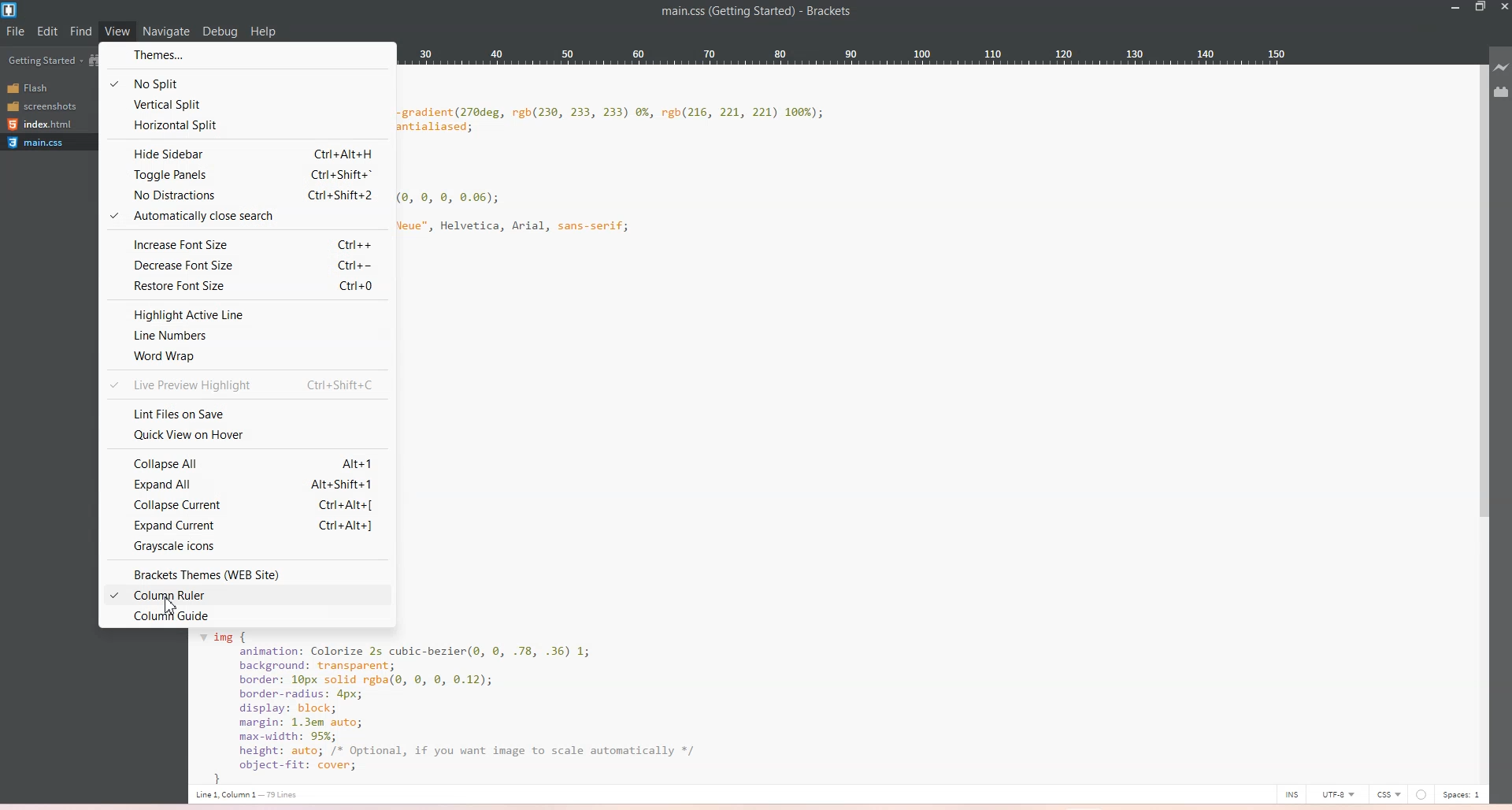 The height and width of the screenshot is (810, 1512). I want to click on Debug, so click(220, 32).